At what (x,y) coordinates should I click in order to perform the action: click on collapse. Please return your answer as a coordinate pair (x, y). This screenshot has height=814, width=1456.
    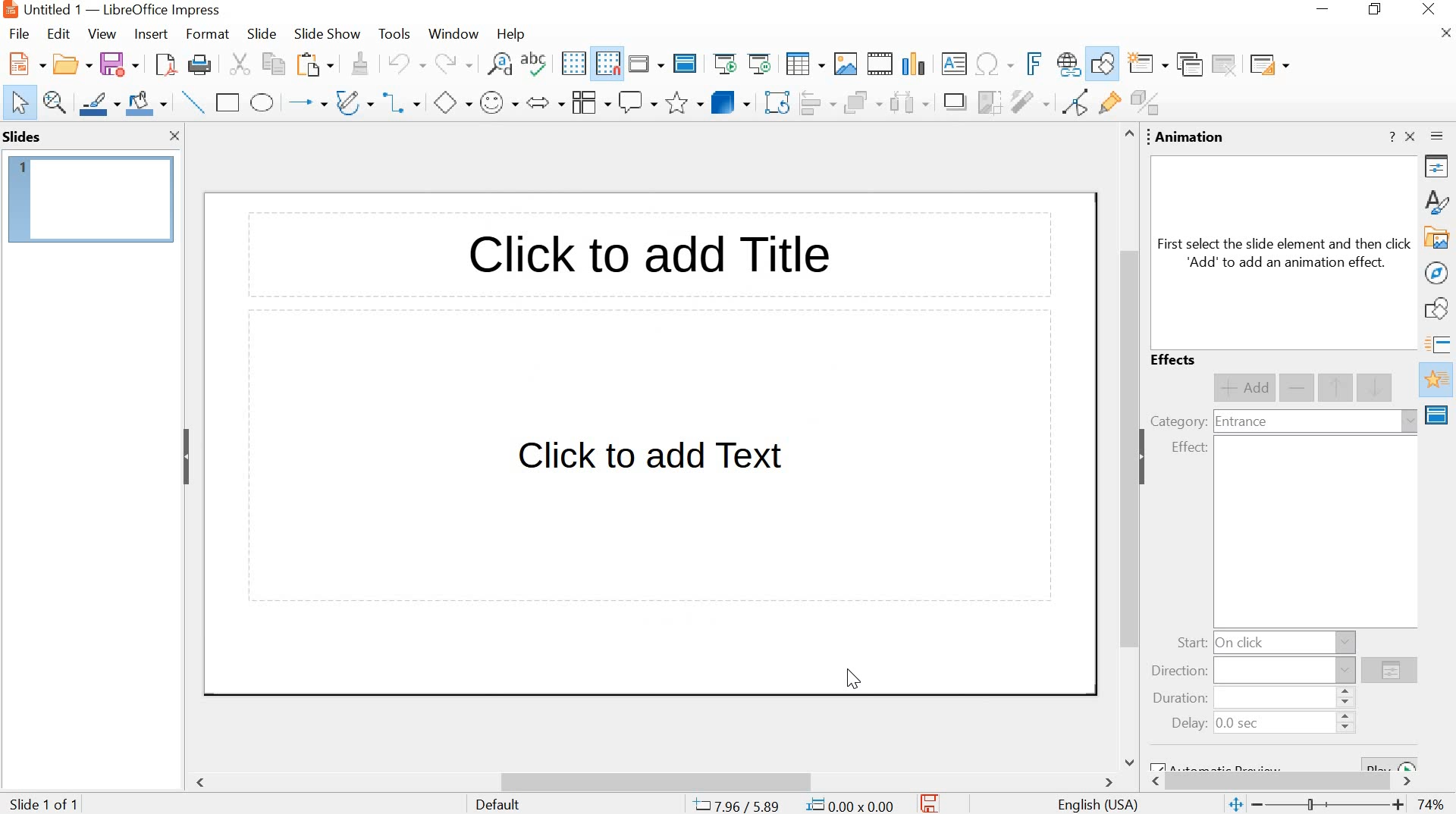
    Looking at the image, I should click on (186, 456).